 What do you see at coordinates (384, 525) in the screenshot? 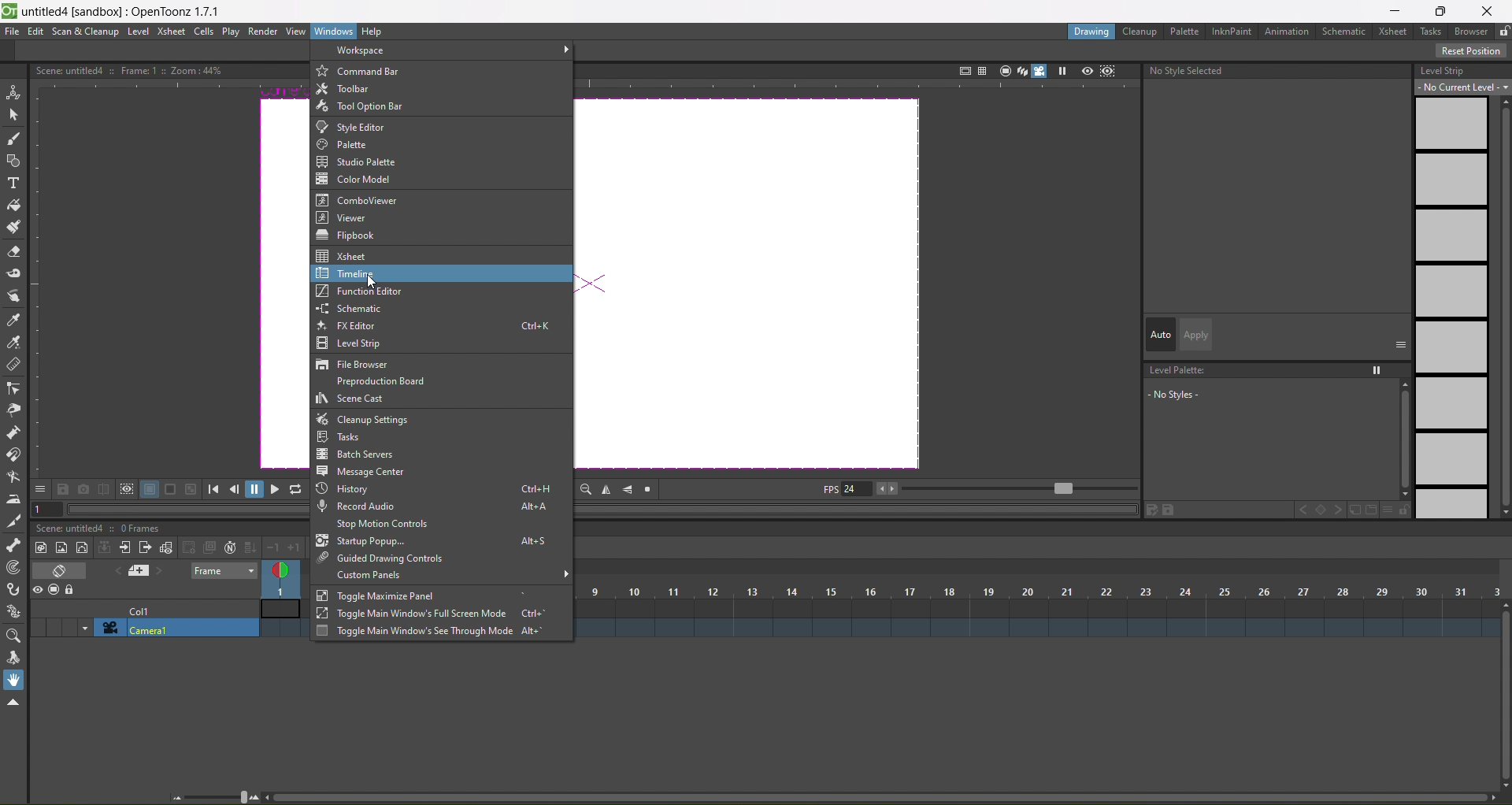
I see `stop motion controls` at bounding box center [384, 525].